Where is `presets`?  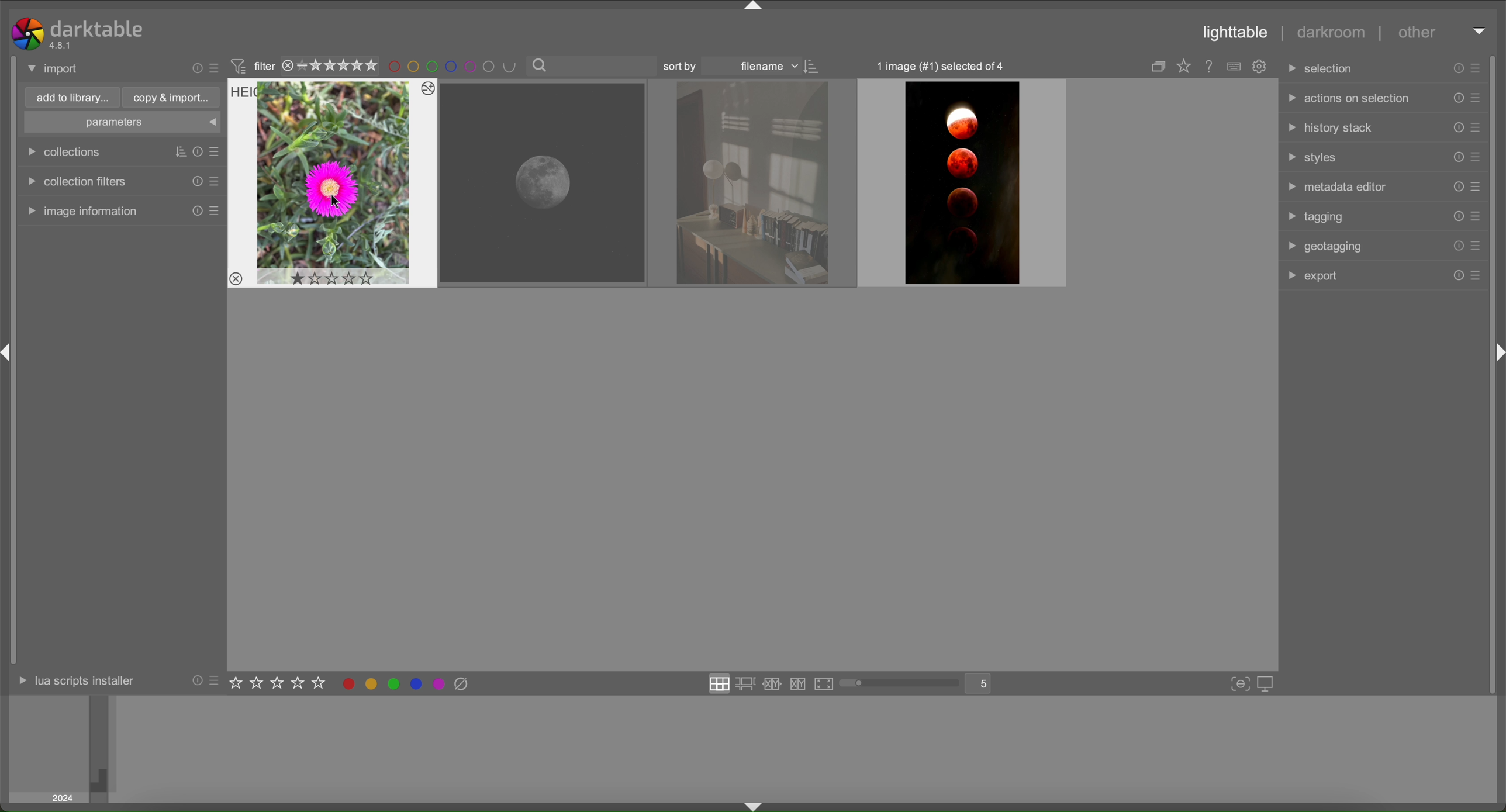
presets is located at coordinates (1477, 186).